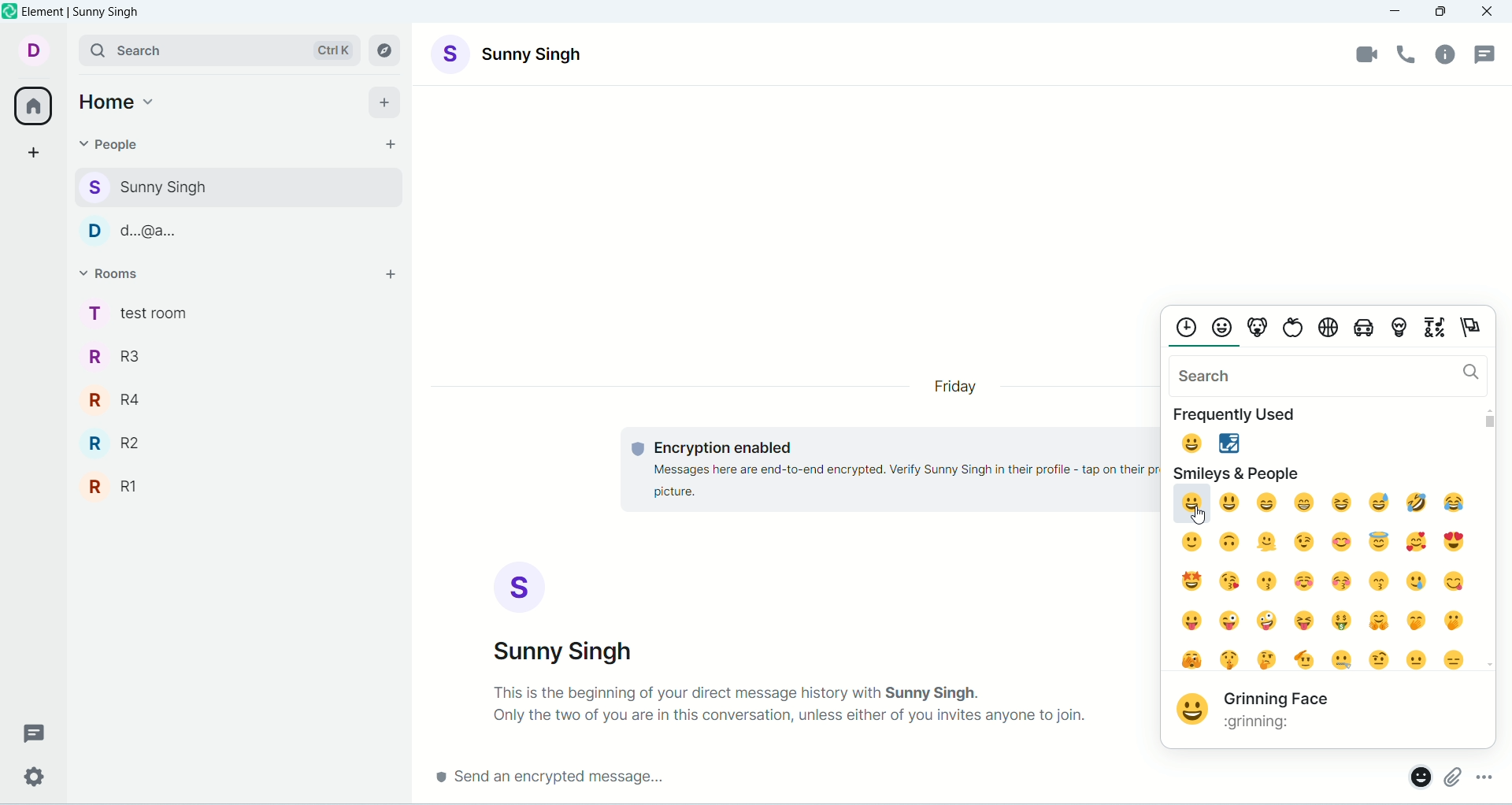 This screenshot has height=805, width=1512. What do you see at coordinates (233, 228) in the screenshot?
I see `d...@...` at bounding box center [233, 228].